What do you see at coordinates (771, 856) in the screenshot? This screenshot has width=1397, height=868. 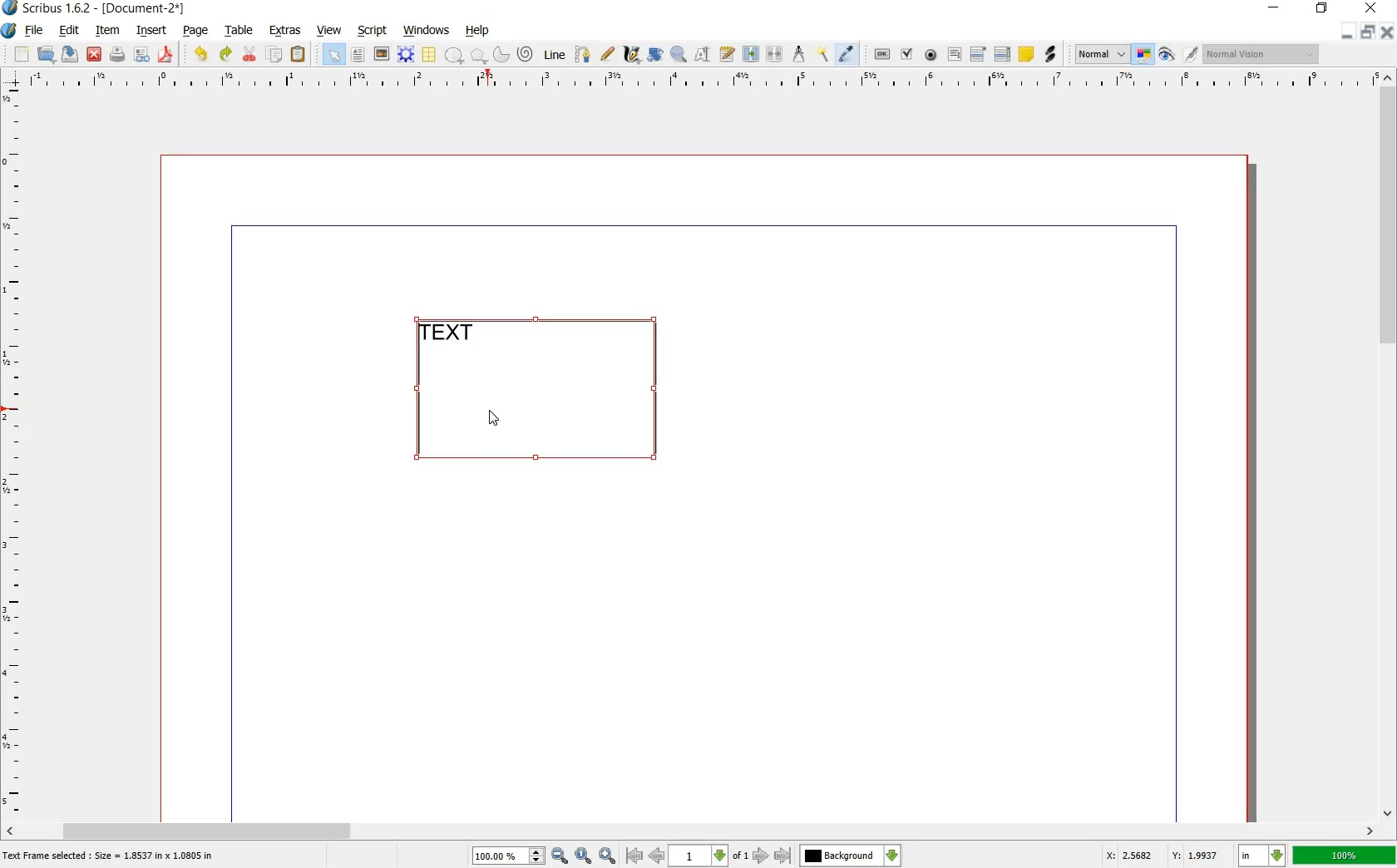 I see `go to next or last page` at bounding box center [771, 856].